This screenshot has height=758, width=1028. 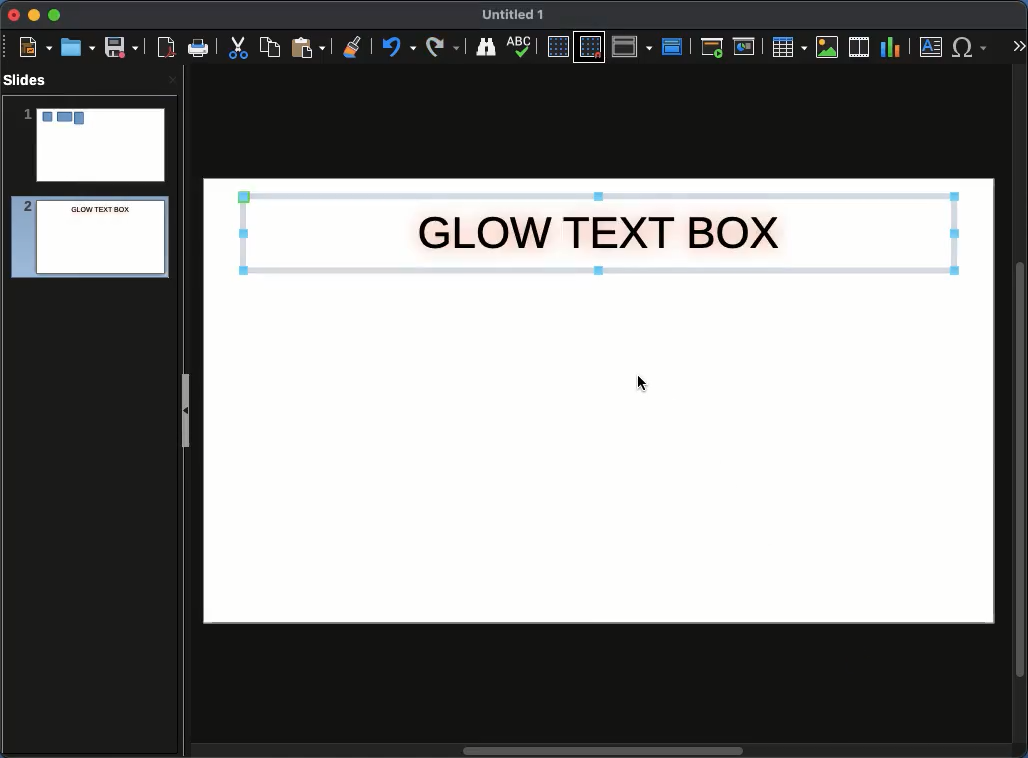 I want to click on Name, so click(x=514, y=15).